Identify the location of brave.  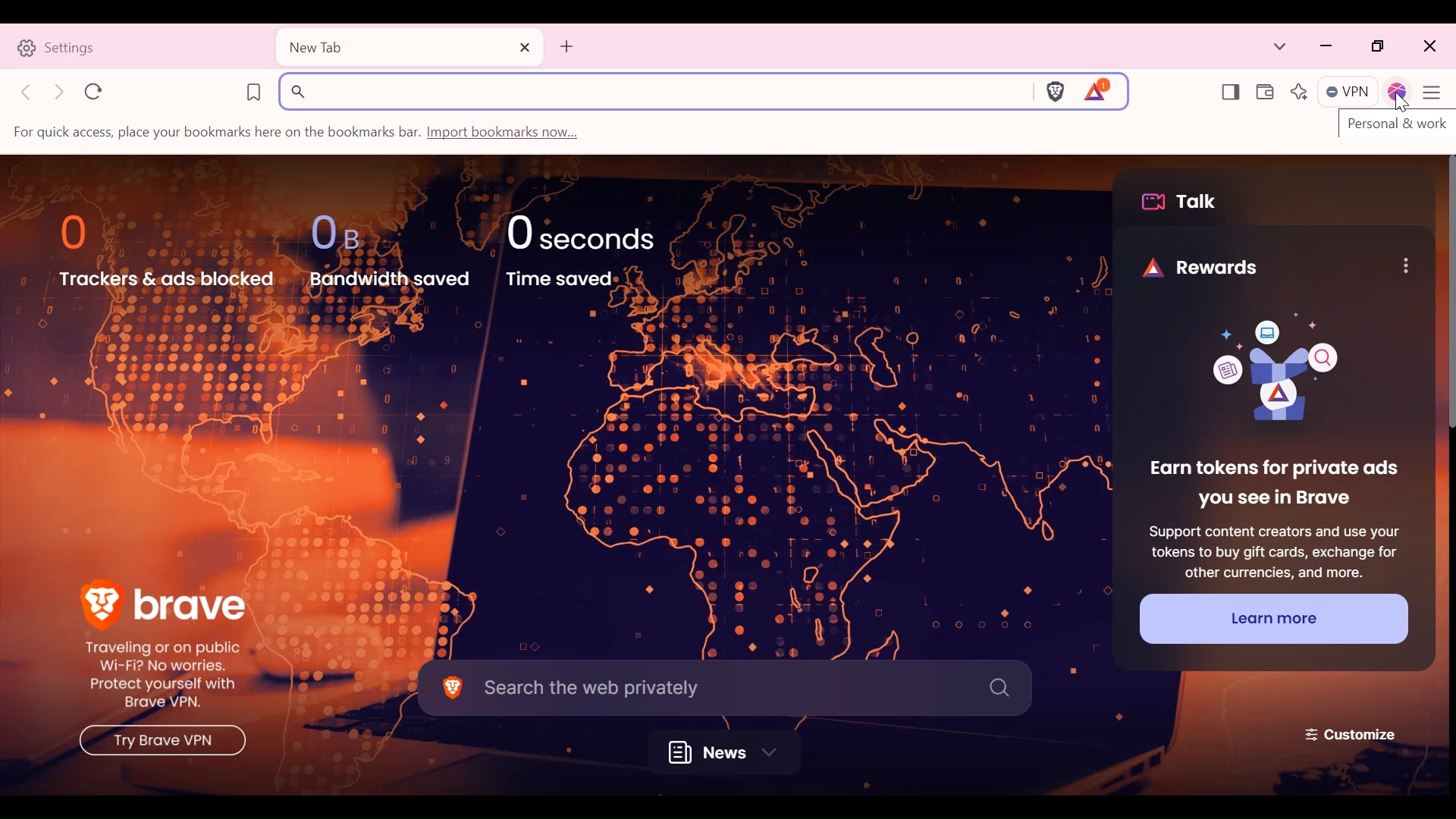
(165, 600).